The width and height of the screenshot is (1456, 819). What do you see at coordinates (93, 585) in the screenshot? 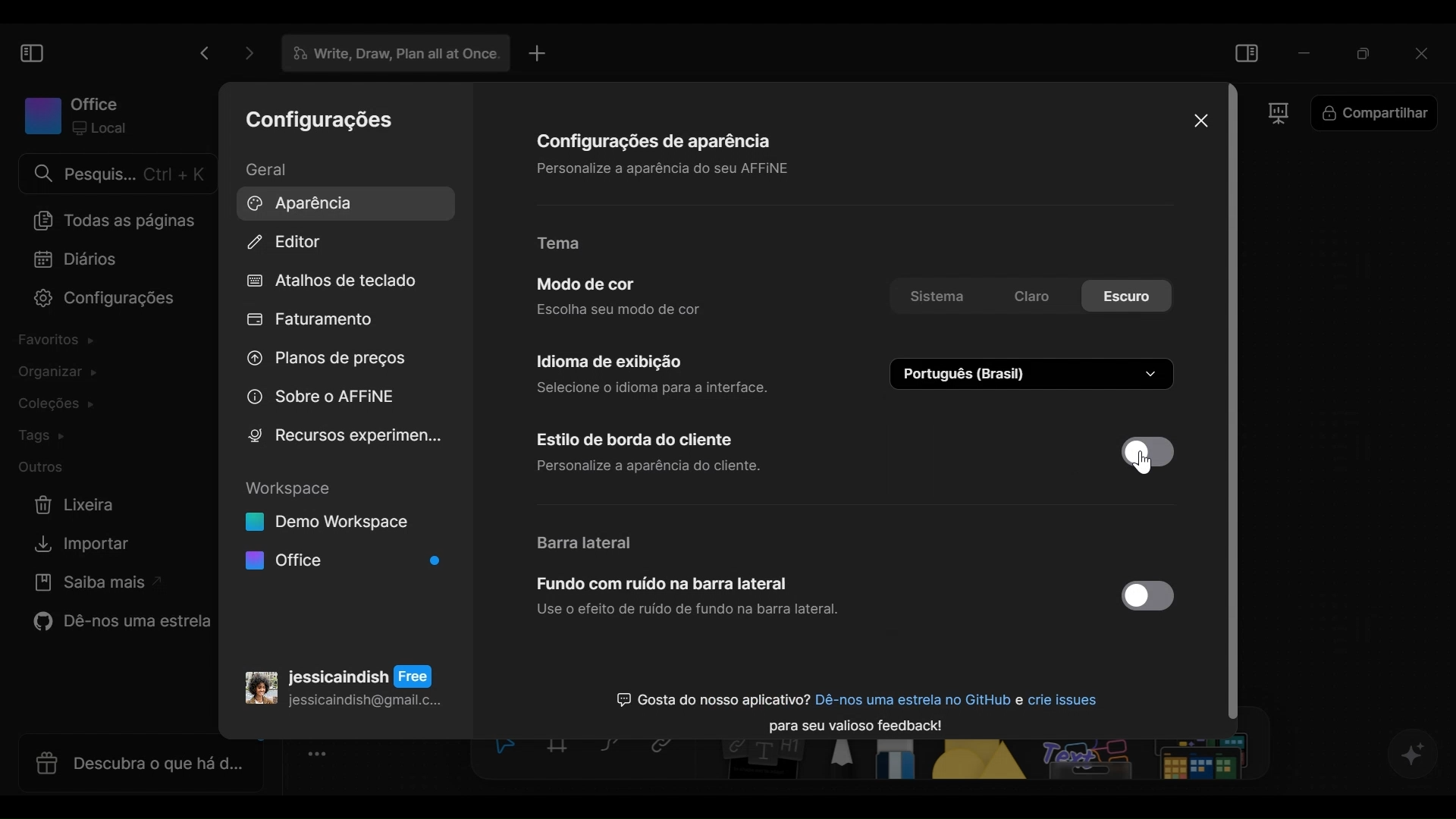
I see `Learn more` at bounding box center [93, 585].